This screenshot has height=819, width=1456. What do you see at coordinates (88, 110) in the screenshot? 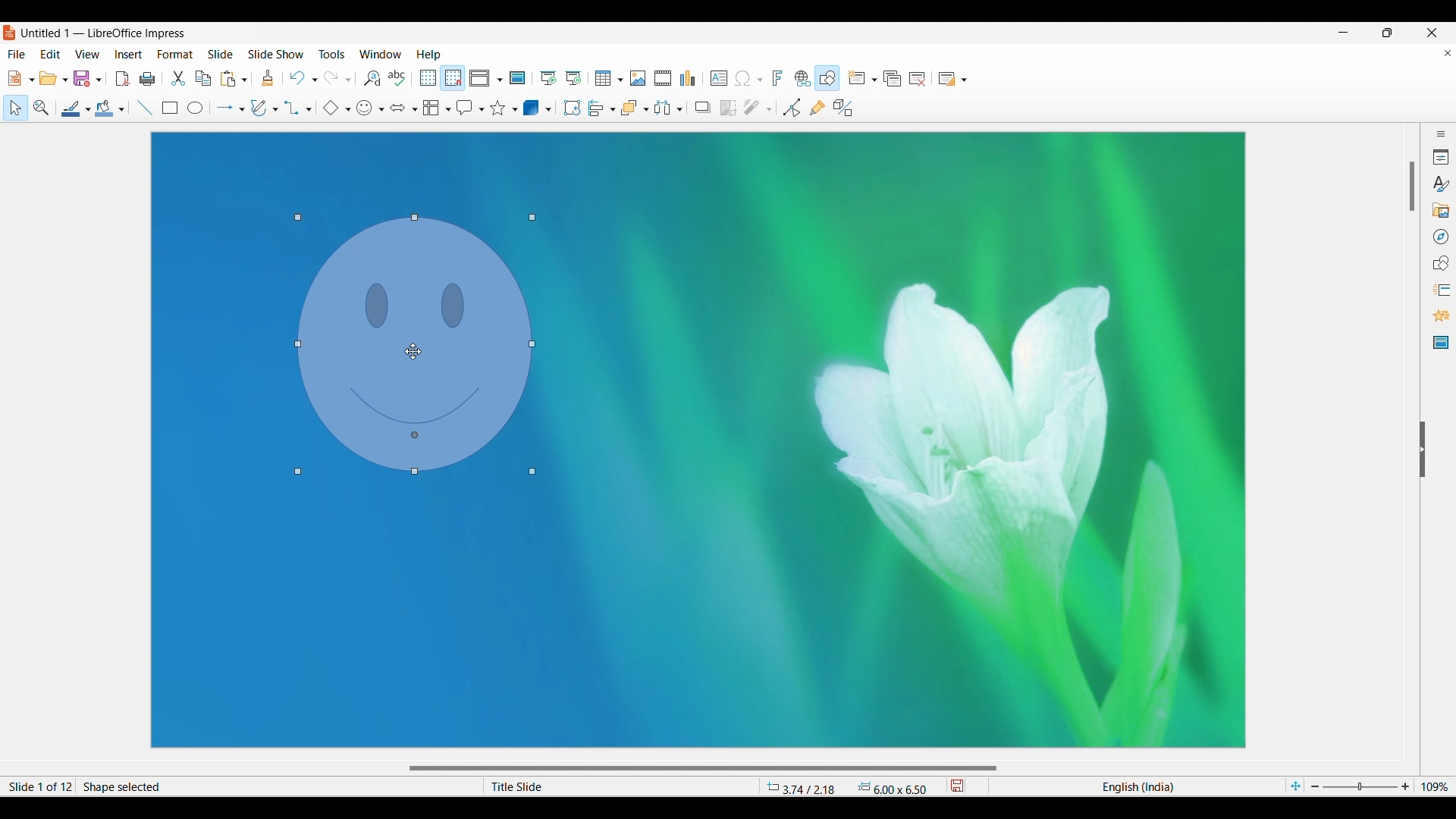
I see `Line options` at bounding box center [88, 110].